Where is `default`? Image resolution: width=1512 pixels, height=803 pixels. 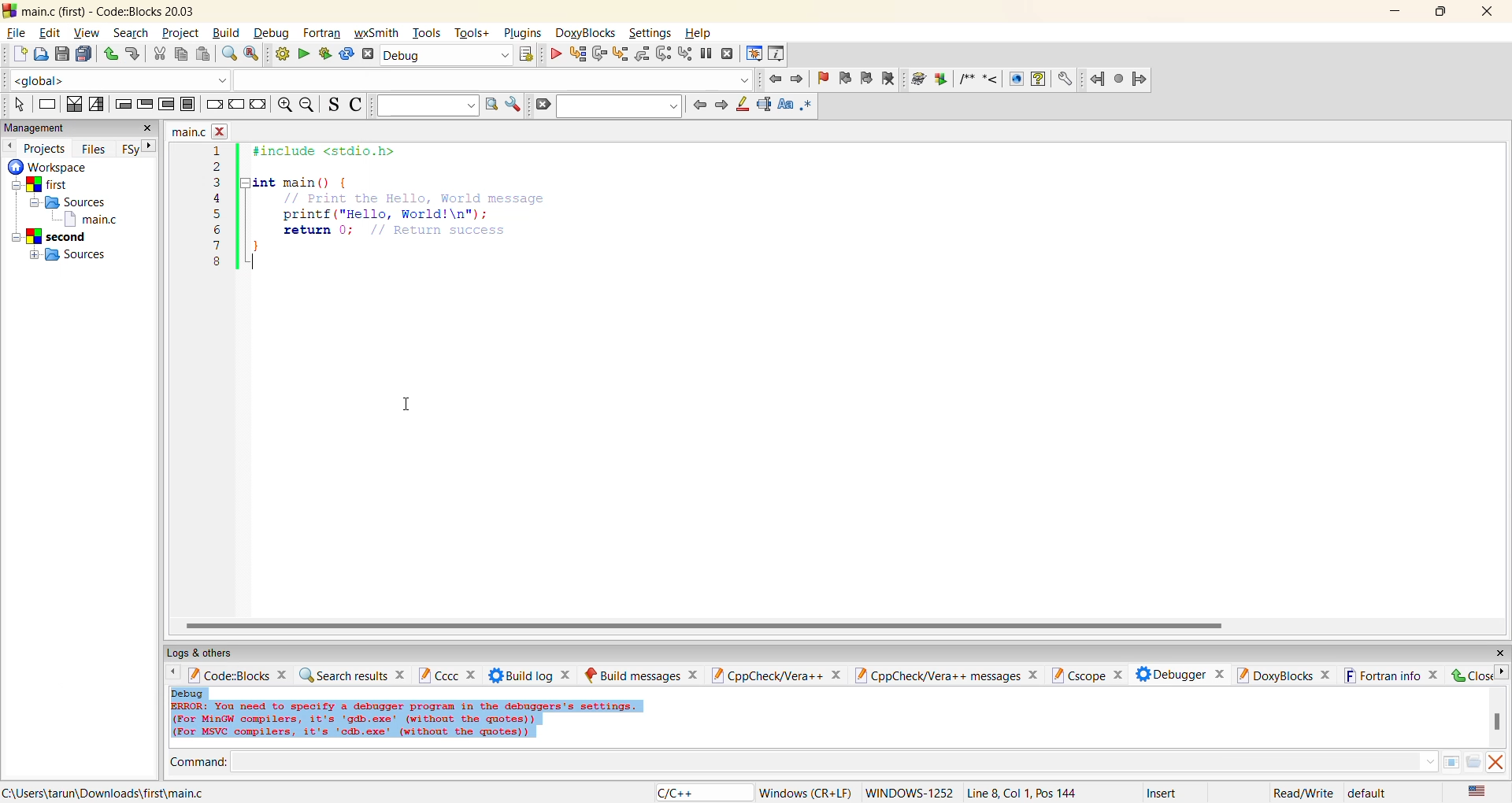
default is located at coordinates (1369, 793).